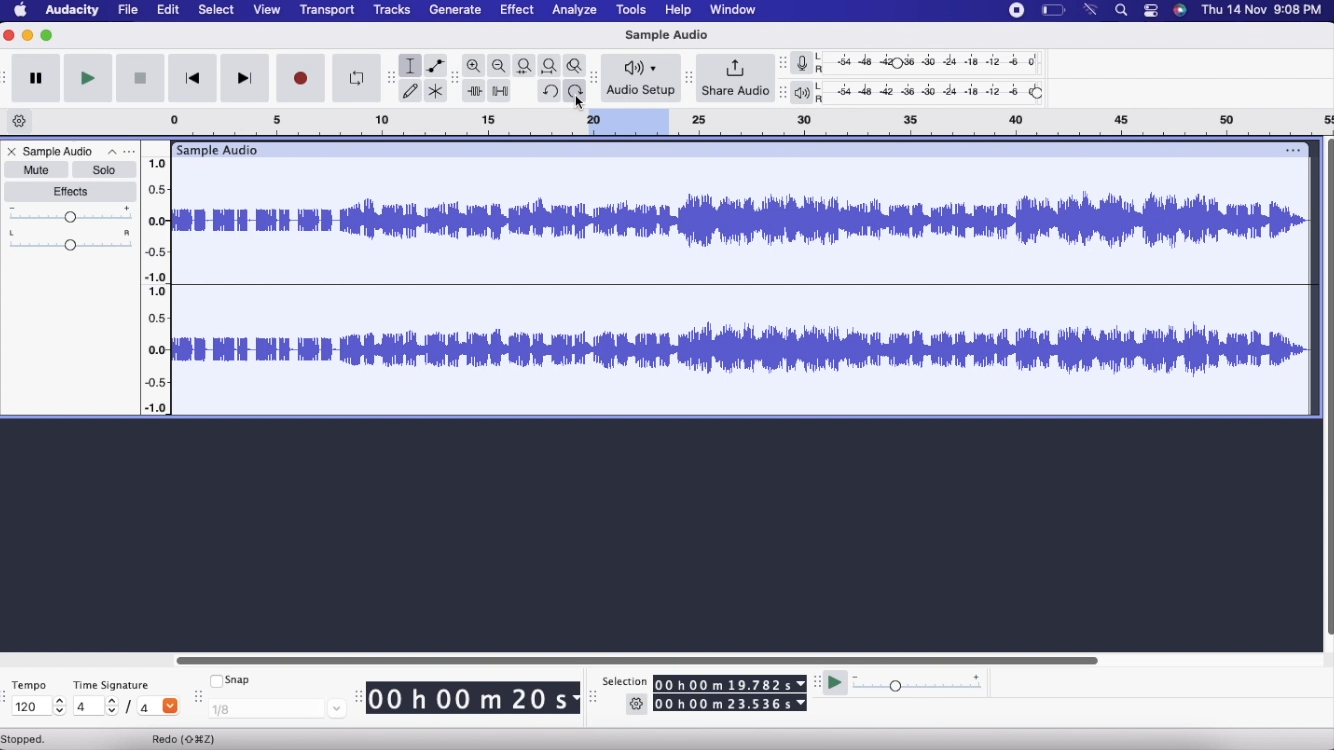  Describe the element at coordinates (113, 685) in the screenshot. I see `Time Signature` at that location.